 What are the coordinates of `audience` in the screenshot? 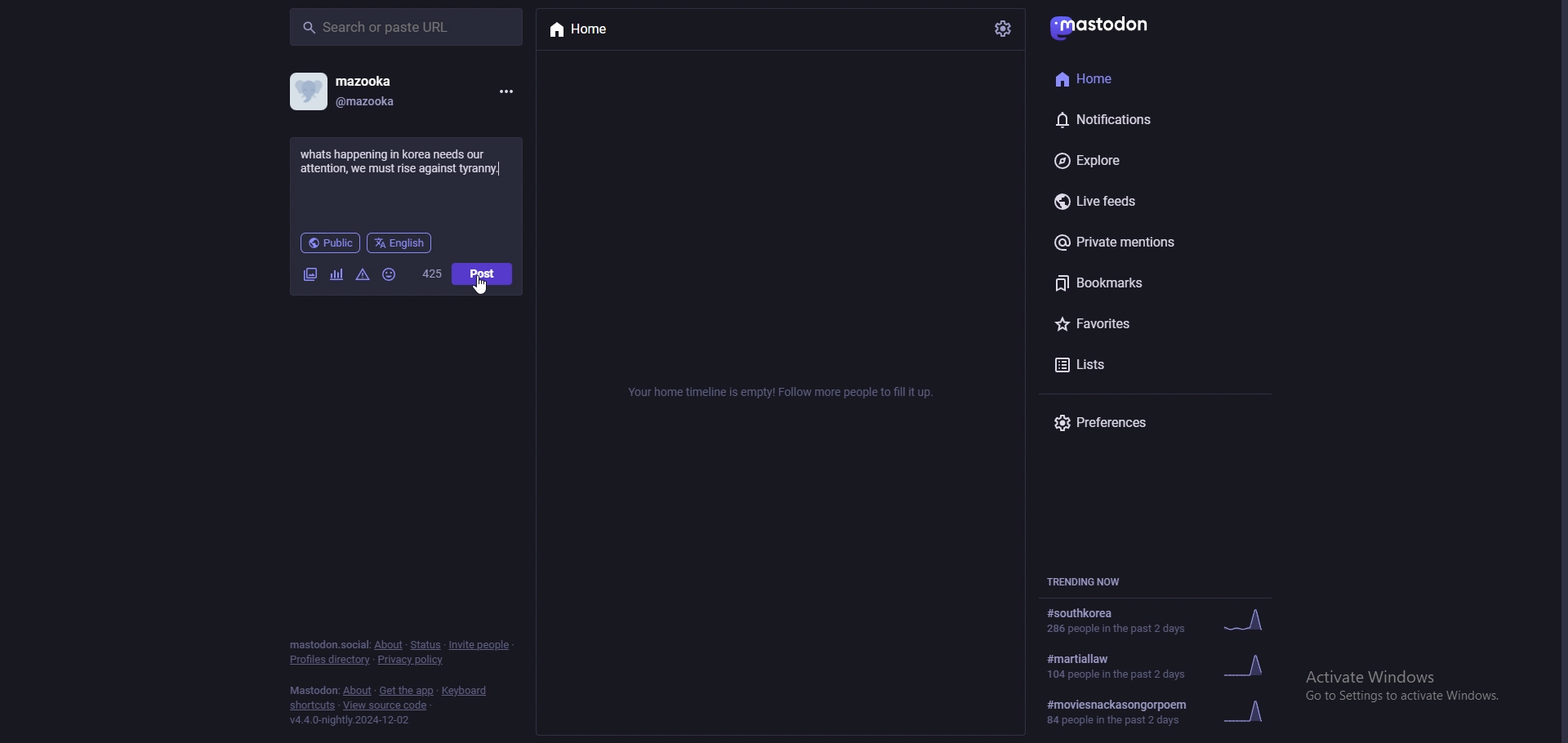 It's located at (331, 242).